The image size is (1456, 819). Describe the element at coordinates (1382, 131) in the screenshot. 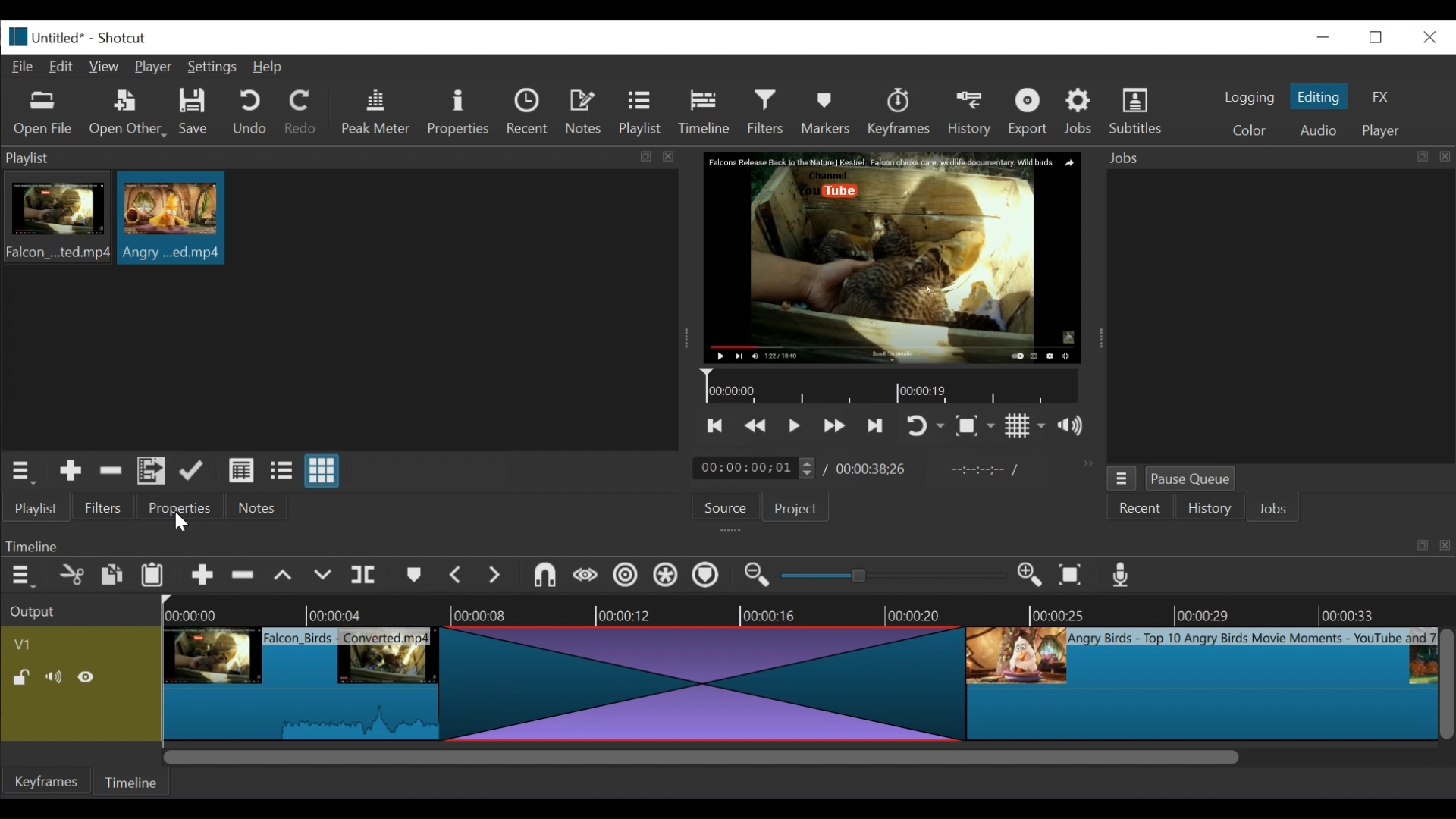

I see `player` at that location.